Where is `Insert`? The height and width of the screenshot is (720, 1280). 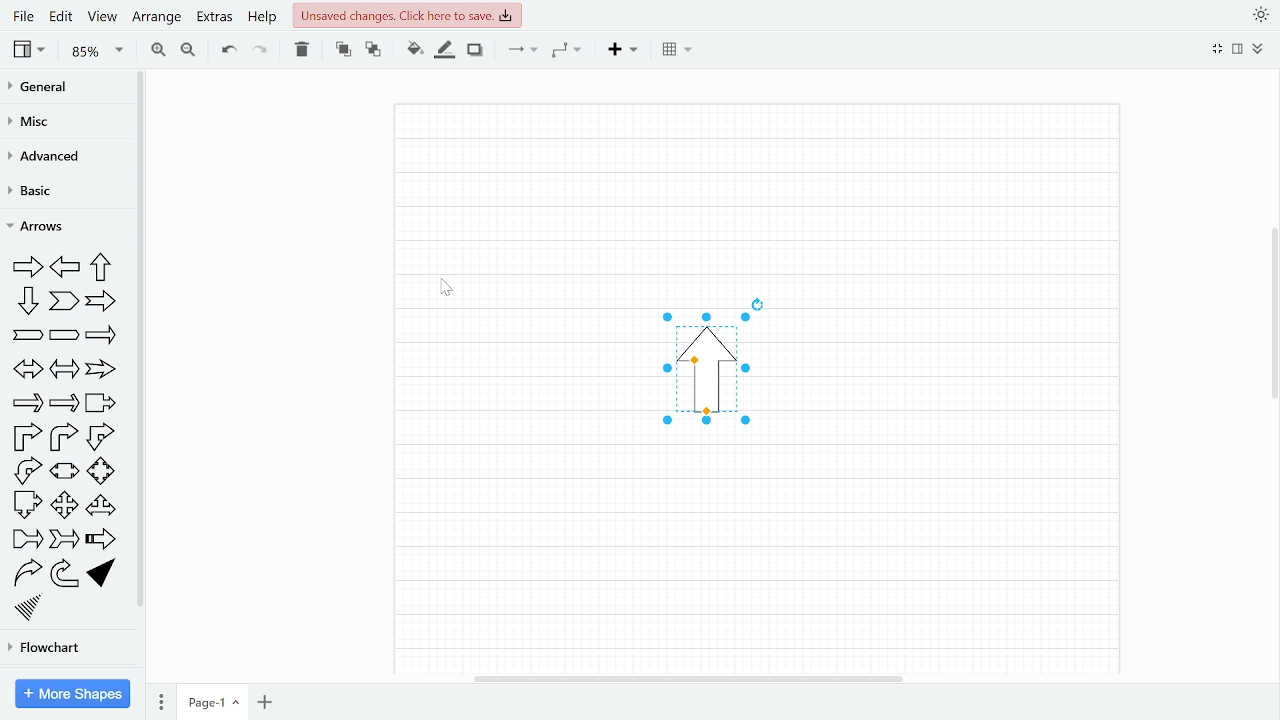 Insert is located at coordinates (625, 50).